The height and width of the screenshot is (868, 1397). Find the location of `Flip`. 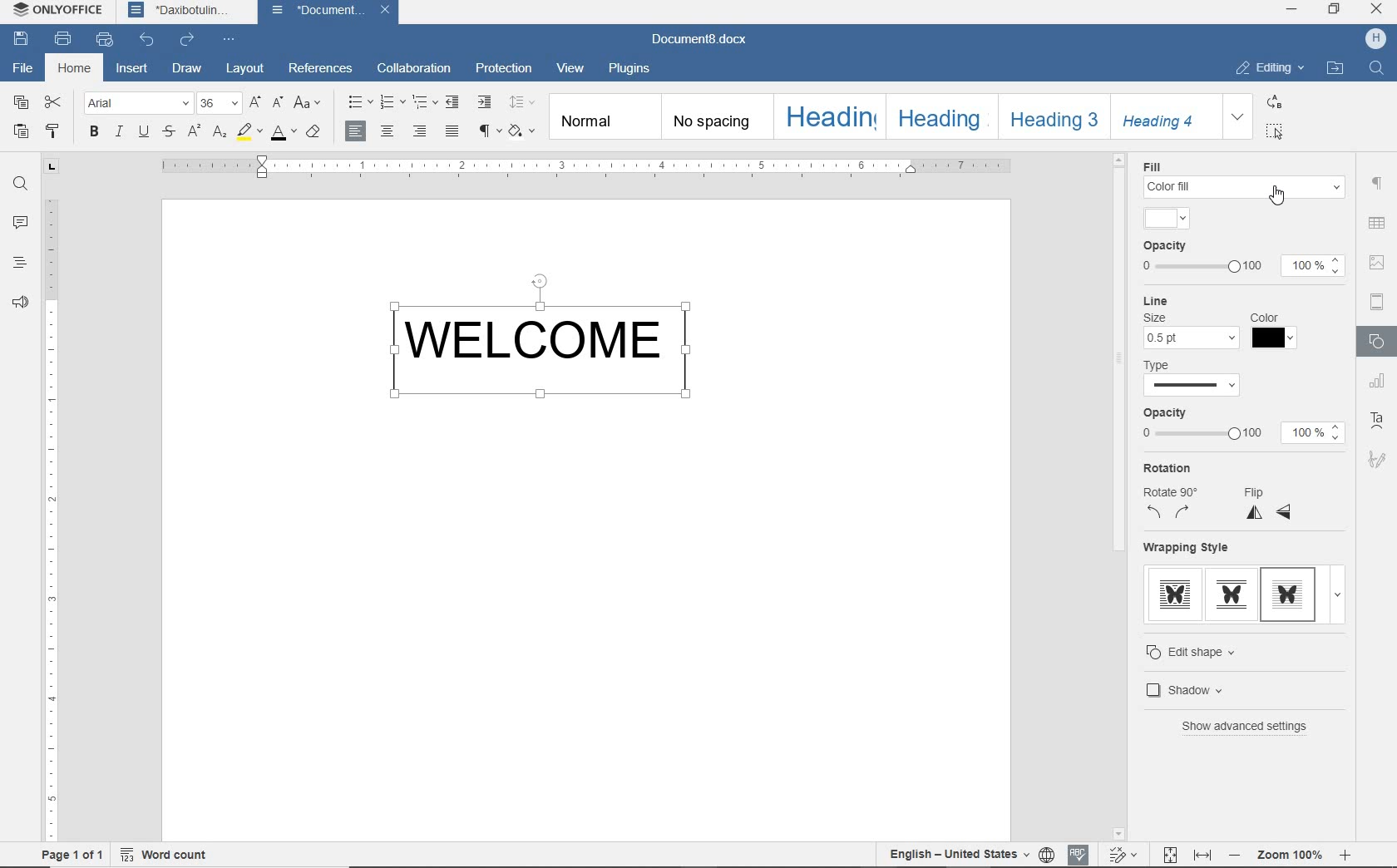

Flip is located at coordinates (1257, 491).